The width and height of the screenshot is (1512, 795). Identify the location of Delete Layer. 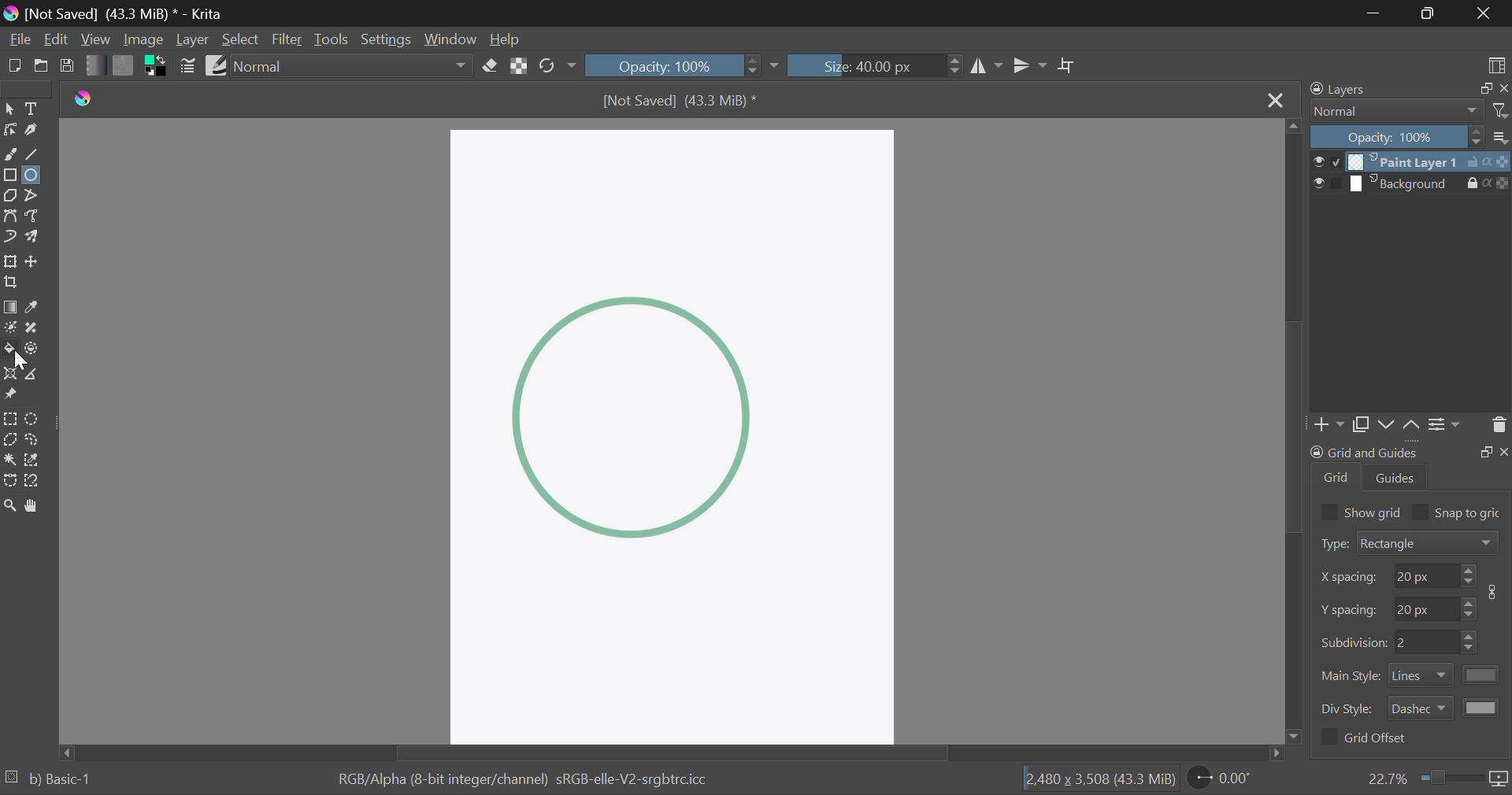
(1498, 428).